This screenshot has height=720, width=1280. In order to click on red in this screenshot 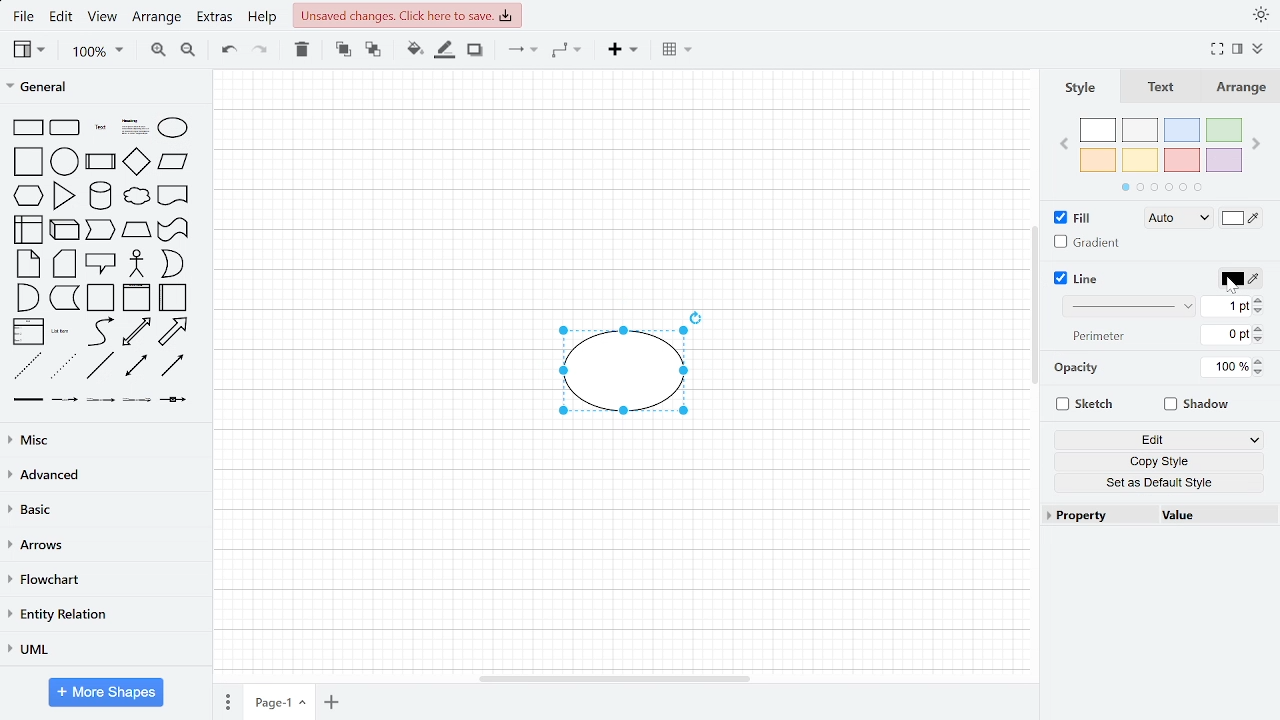, I will do `click(1182, 160)`.